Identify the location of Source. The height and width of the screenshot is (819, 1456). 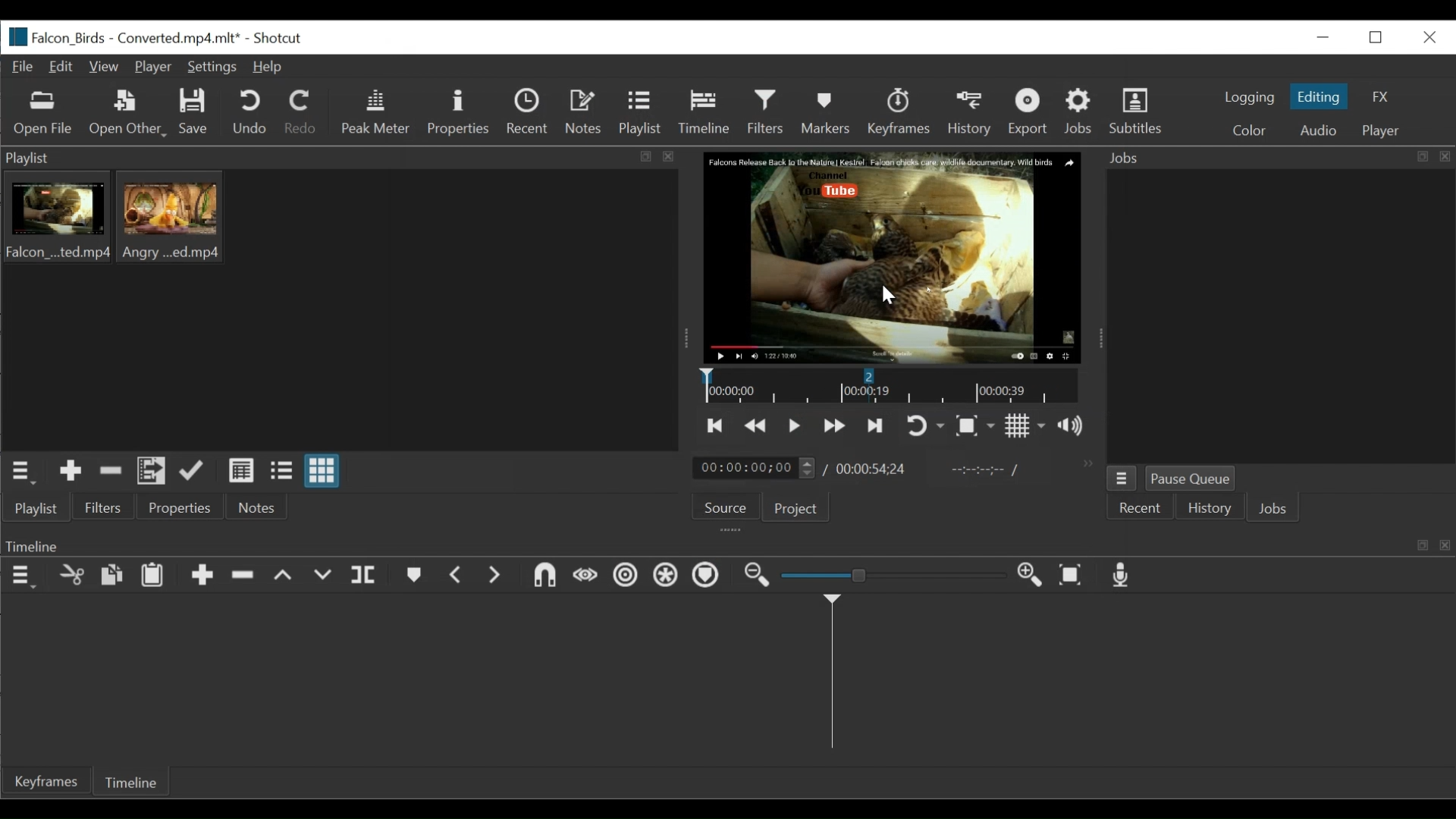
(726, 507).